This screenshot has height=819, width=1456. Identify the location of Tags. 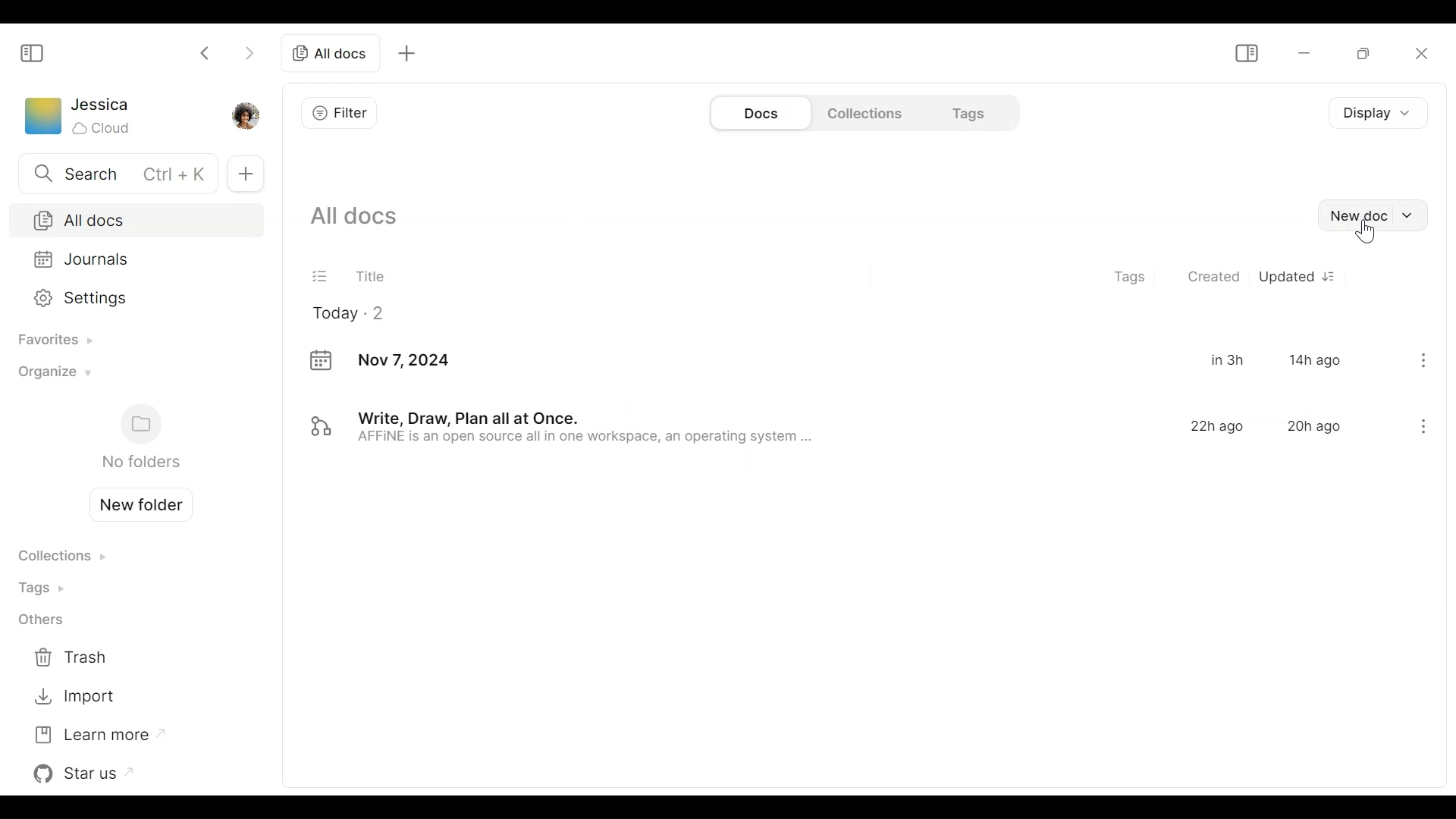
(962, 112).